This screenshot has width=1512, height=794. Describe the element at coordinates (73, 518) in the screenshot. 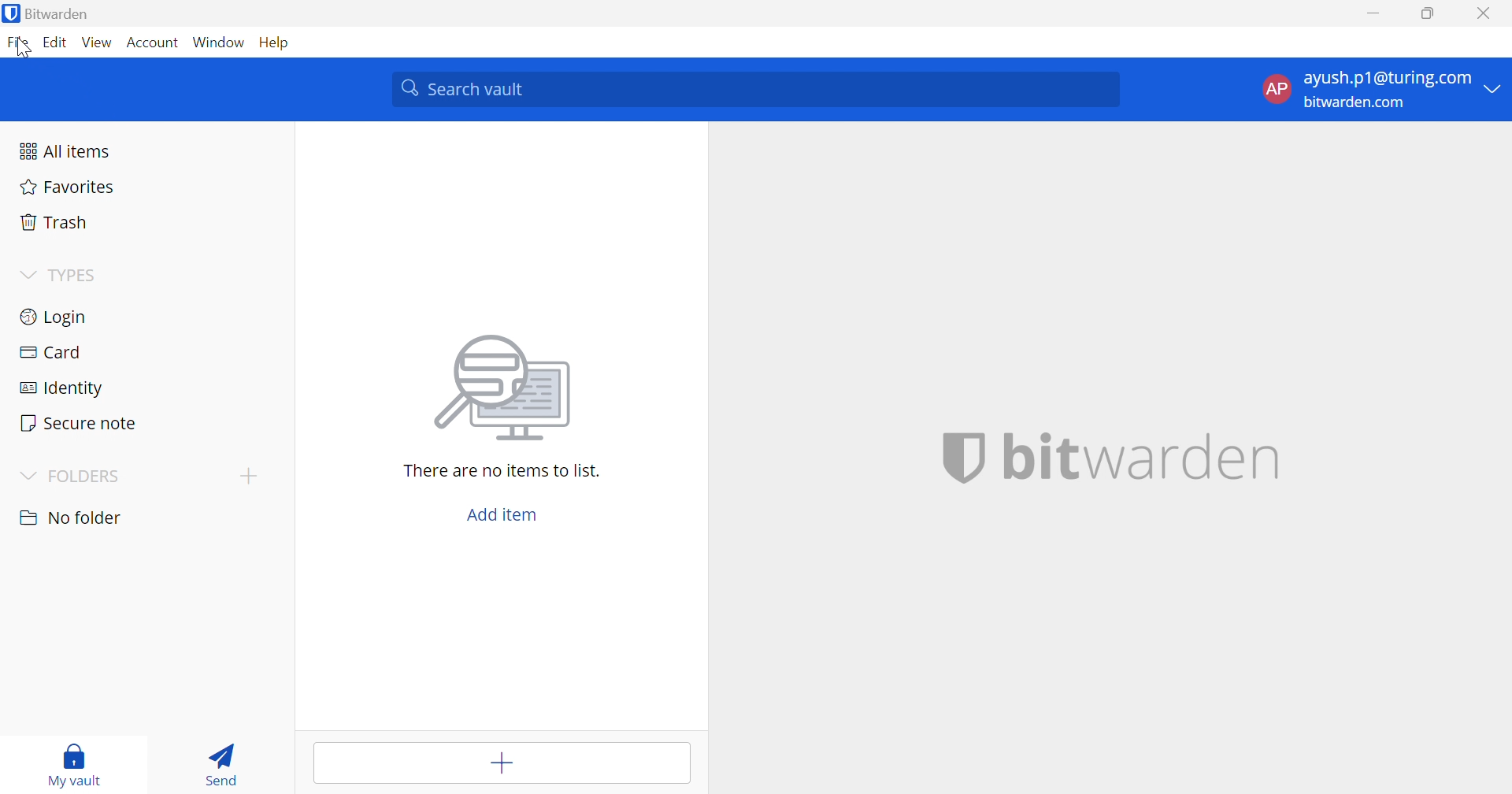

I see `No folder` at that location.